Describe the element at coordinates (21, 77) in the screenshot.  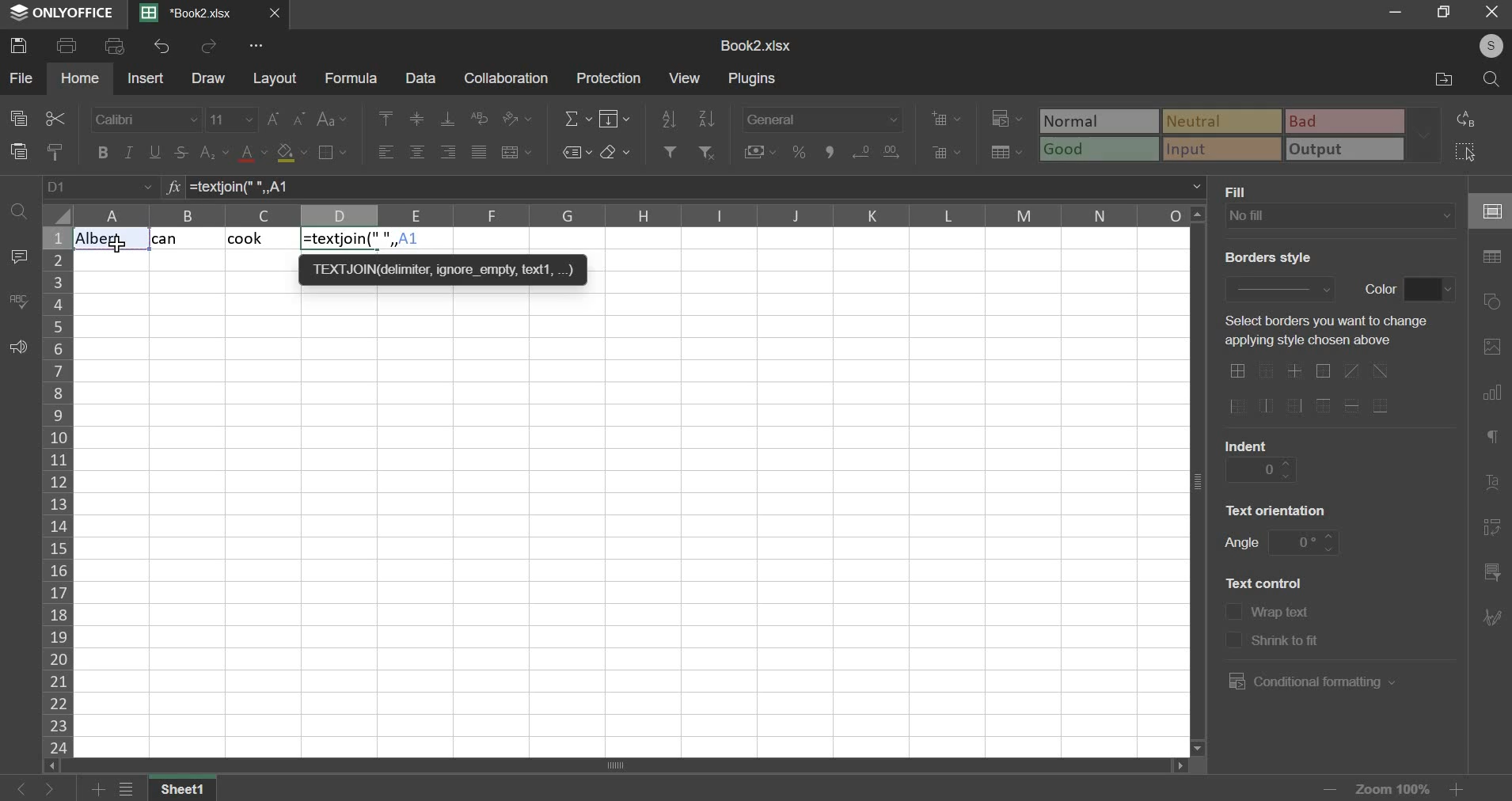
I see `file` at that location.